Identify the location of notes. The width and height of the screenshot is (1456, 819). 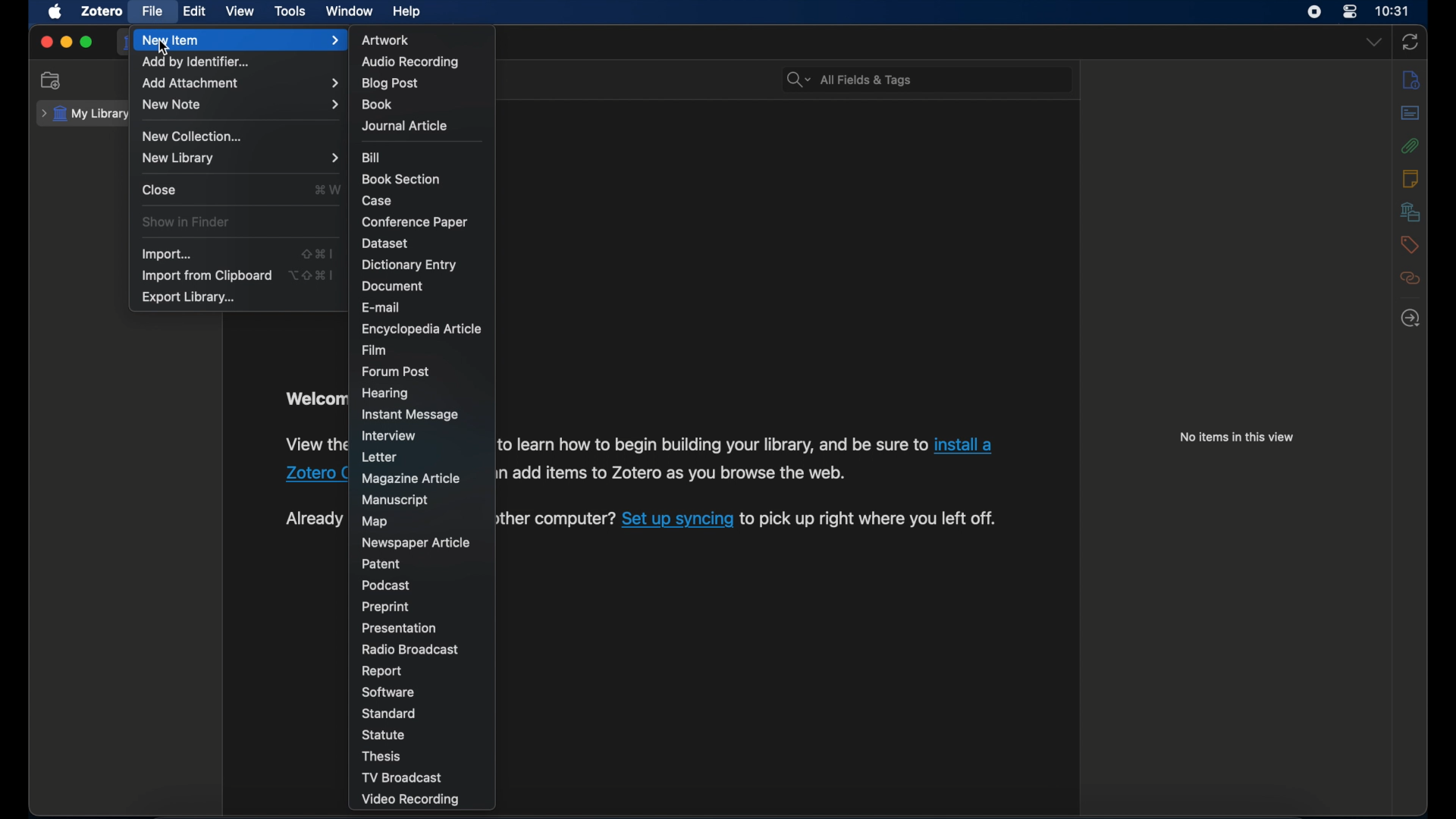
(1410, 178).